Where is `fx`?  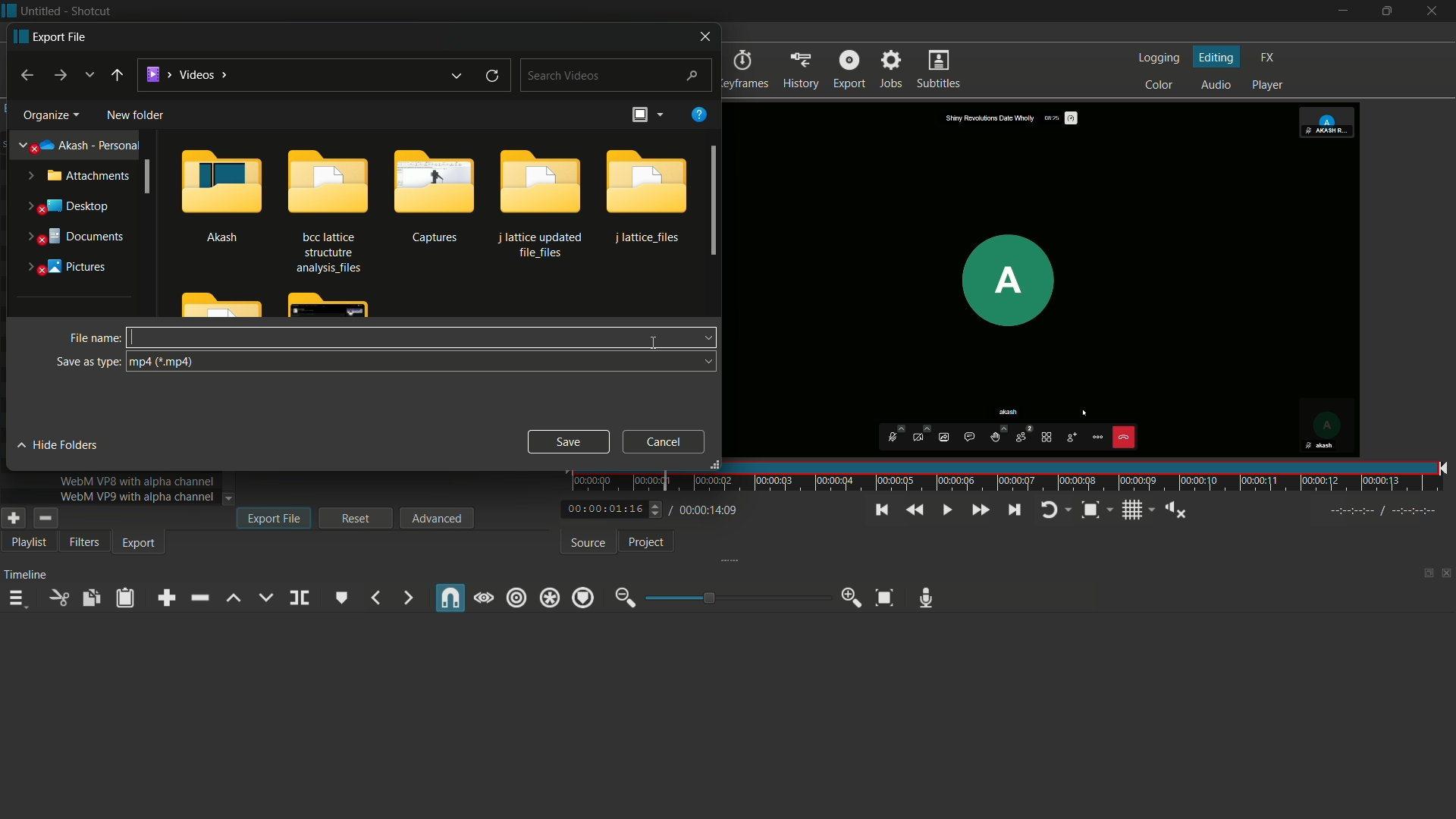 fx is located at coordinates (1268, 58).